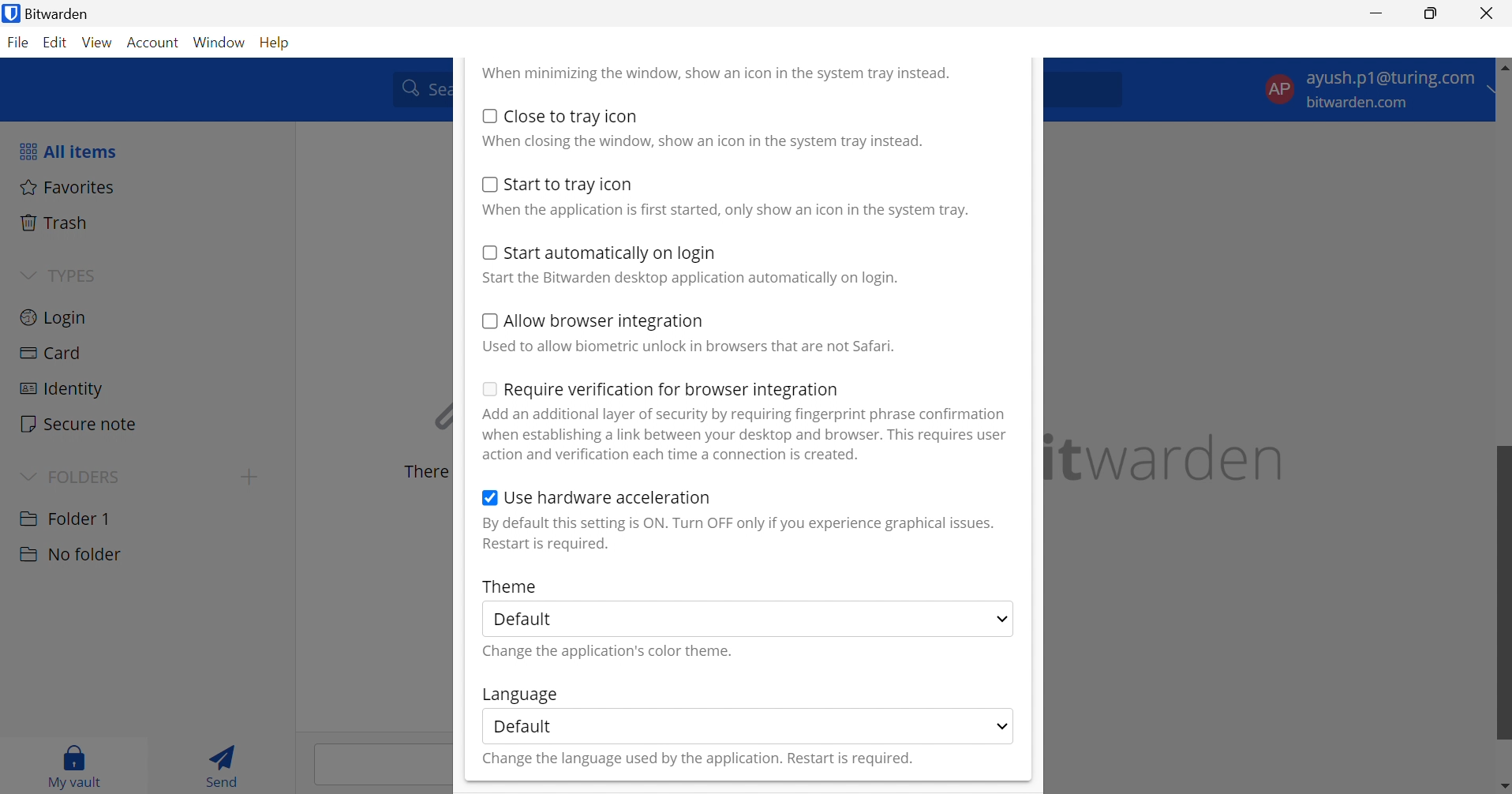 Image resolution: width=1512 pixels, height=794 pixels. I want to click on bitwarden.com, so click(1361, 103).